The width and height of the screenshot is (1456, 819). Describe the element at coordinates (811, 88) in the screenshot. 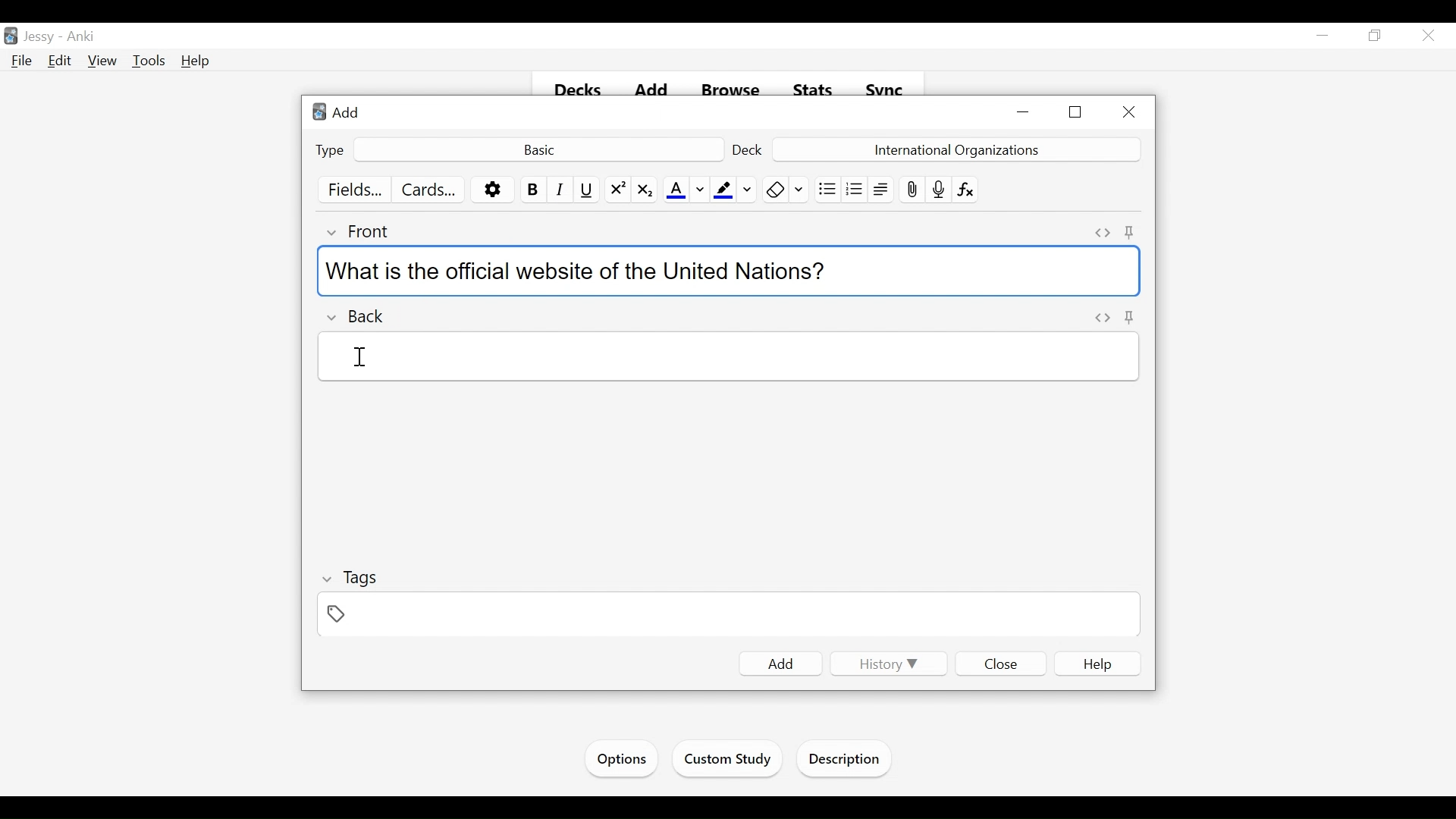

I see `Stats` at that location.